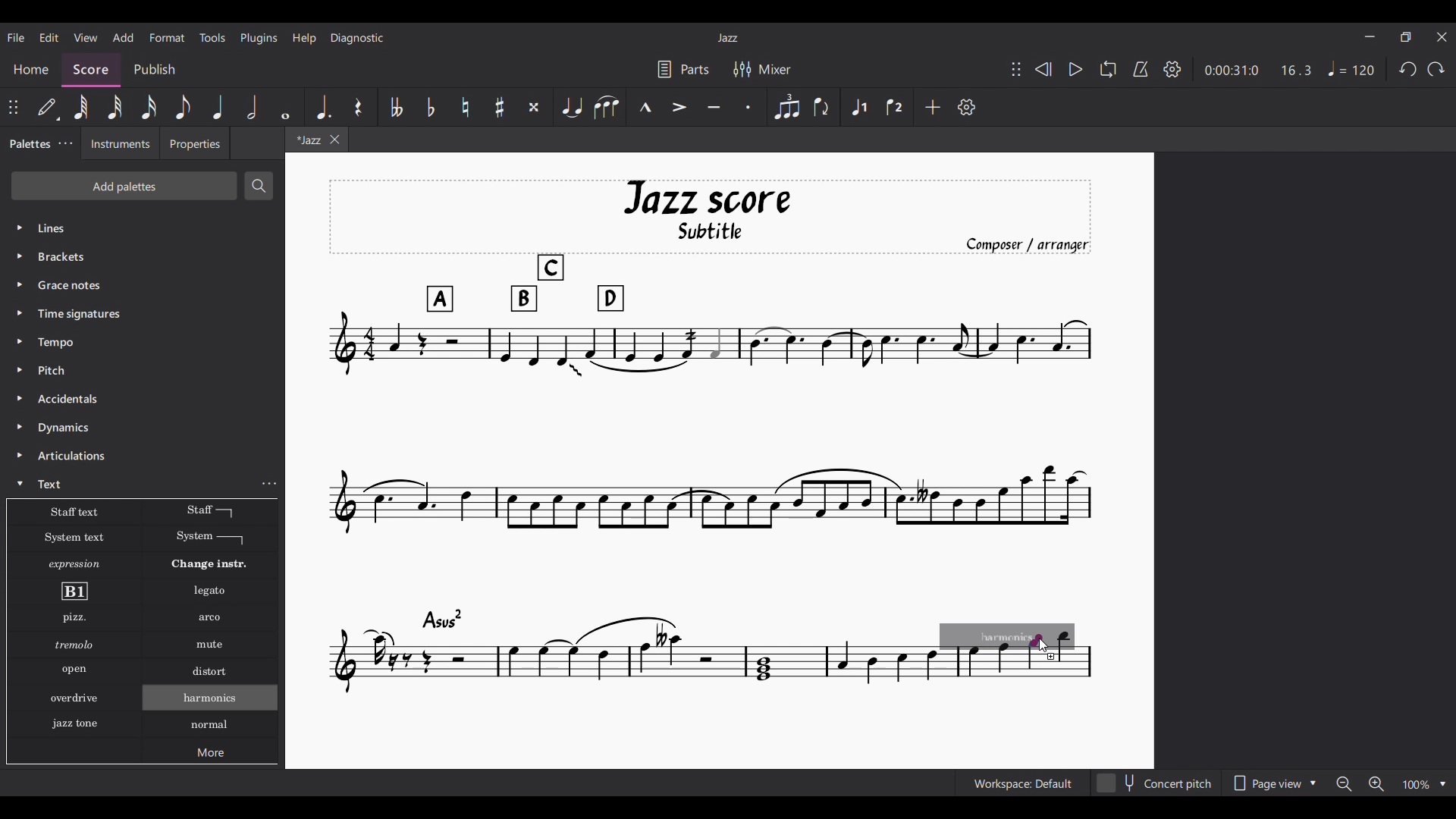 This screenshot has width=1456, height=819. What do you see at coordinates (71, 670) in the screenshot?
I see `` at bounding box center [71, 670].